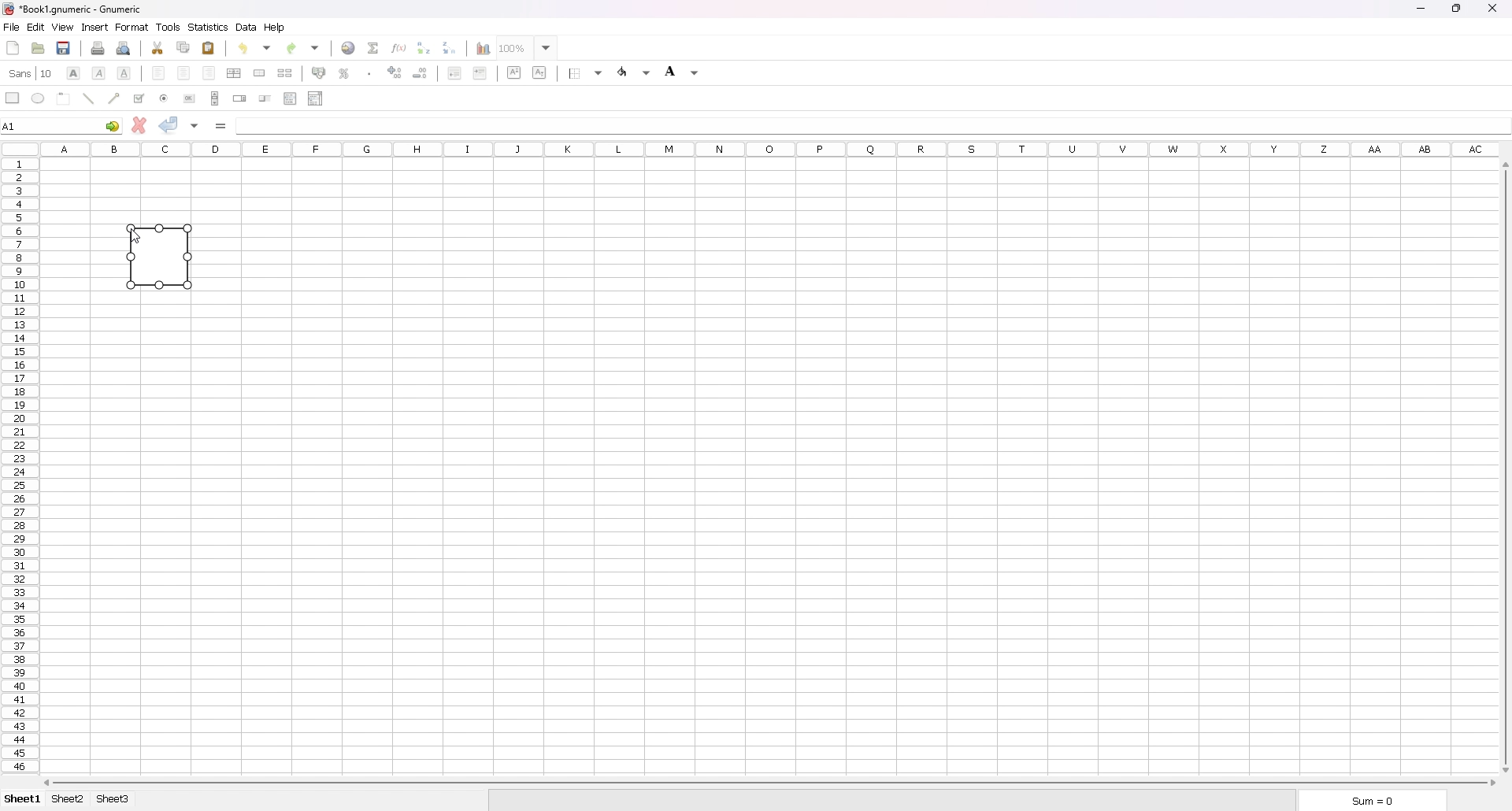  I want to click on cancel changes, so click(139, 124).